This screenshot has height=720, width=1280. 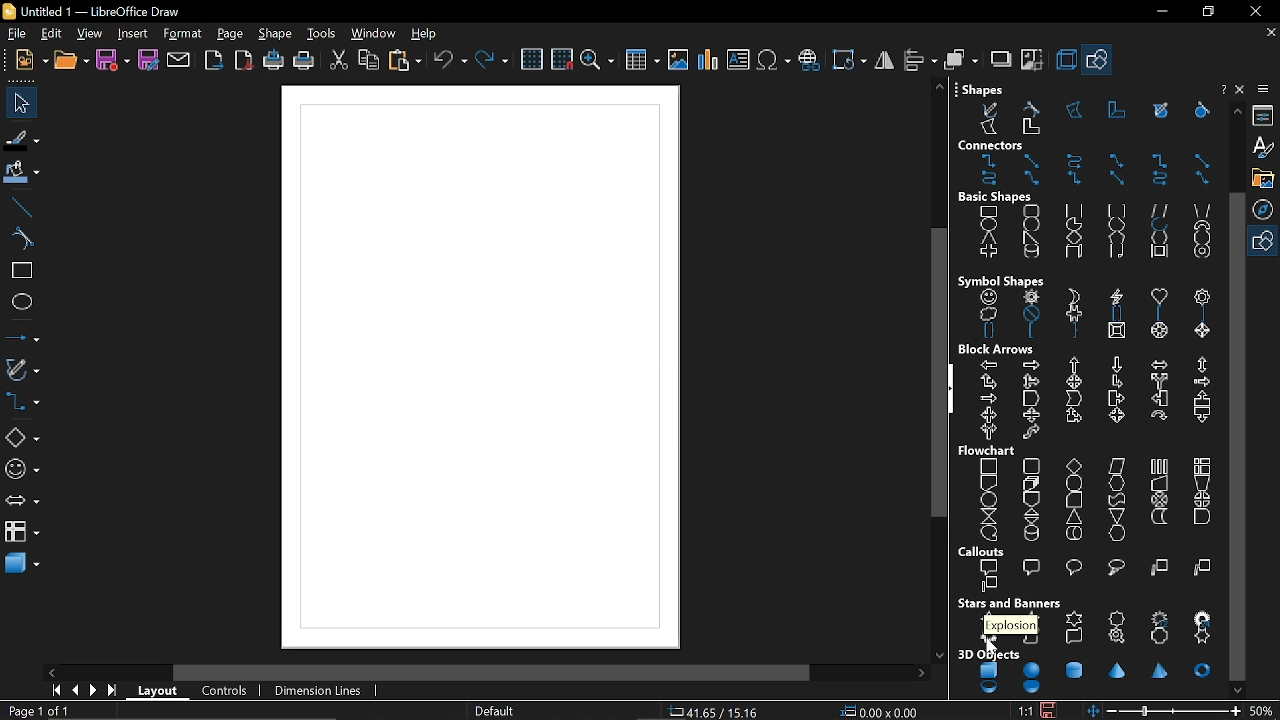 What do you see at coordinates (135, 33) in the screenshot?
I see `insert` at bounding box center [135, 33].